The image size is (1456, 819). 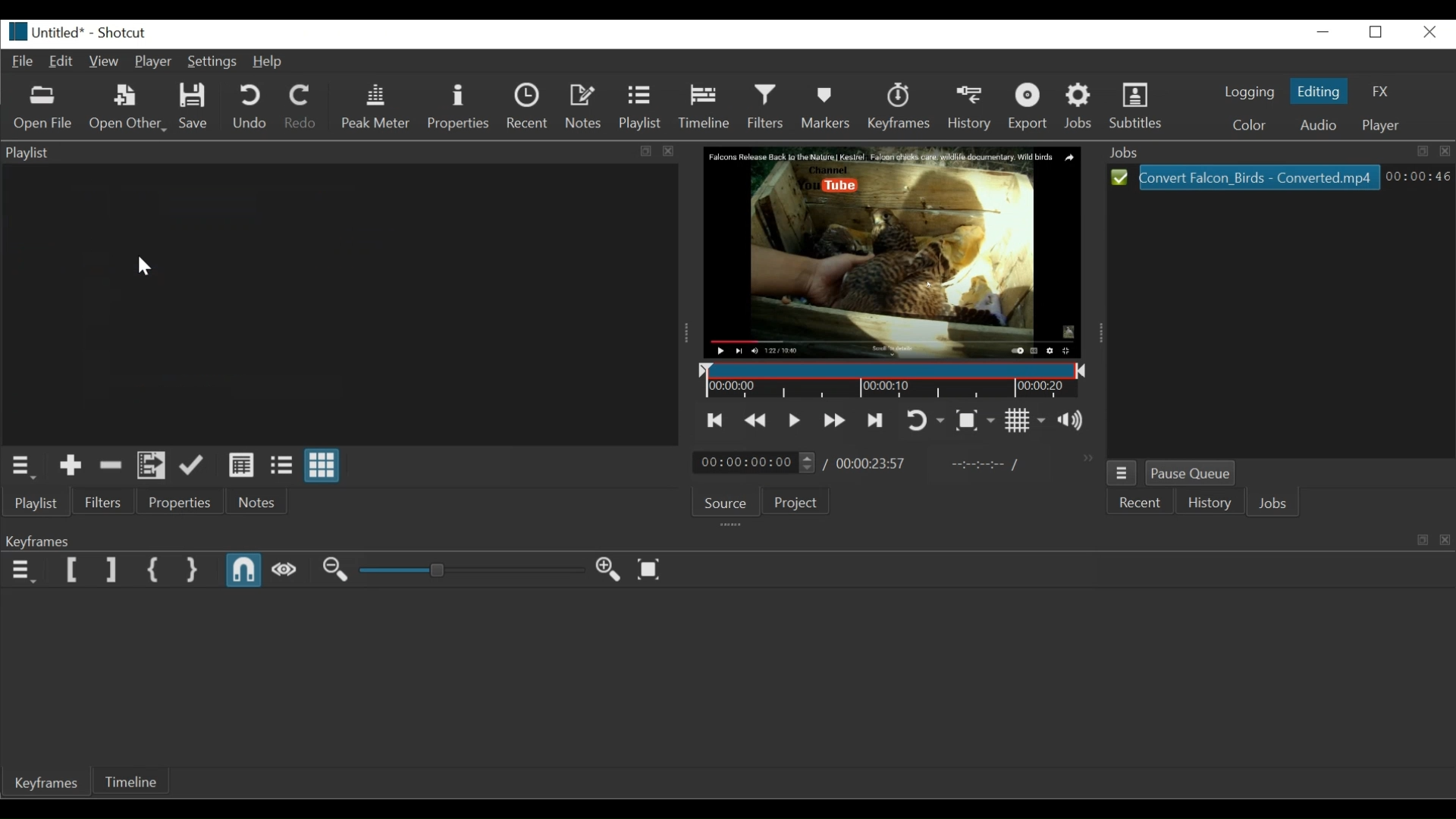 I want to click on Open Other, so click(x=126, y=108).